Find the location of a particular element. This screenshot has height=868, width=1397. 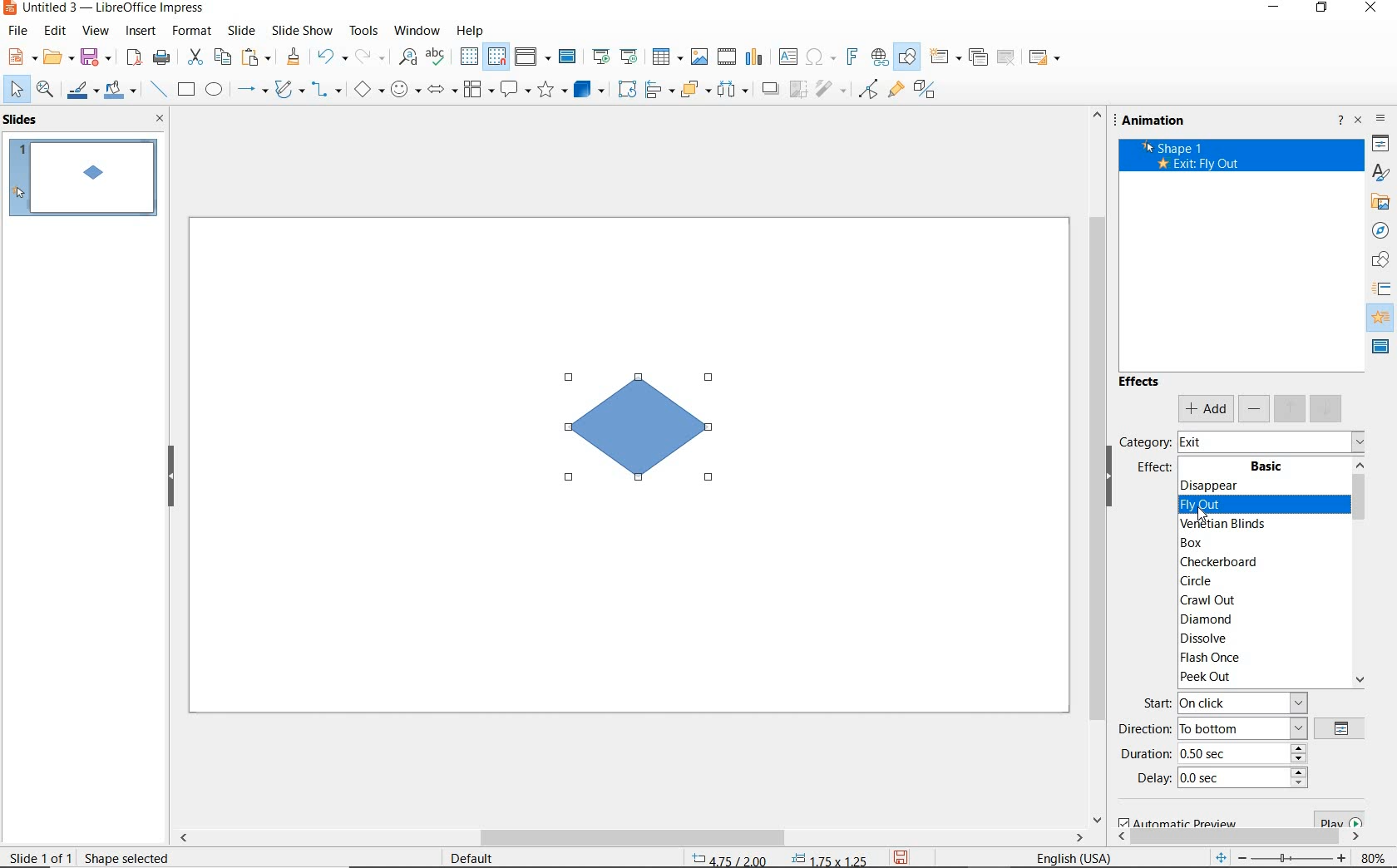

3d objects is located at coordinates (589, 89).